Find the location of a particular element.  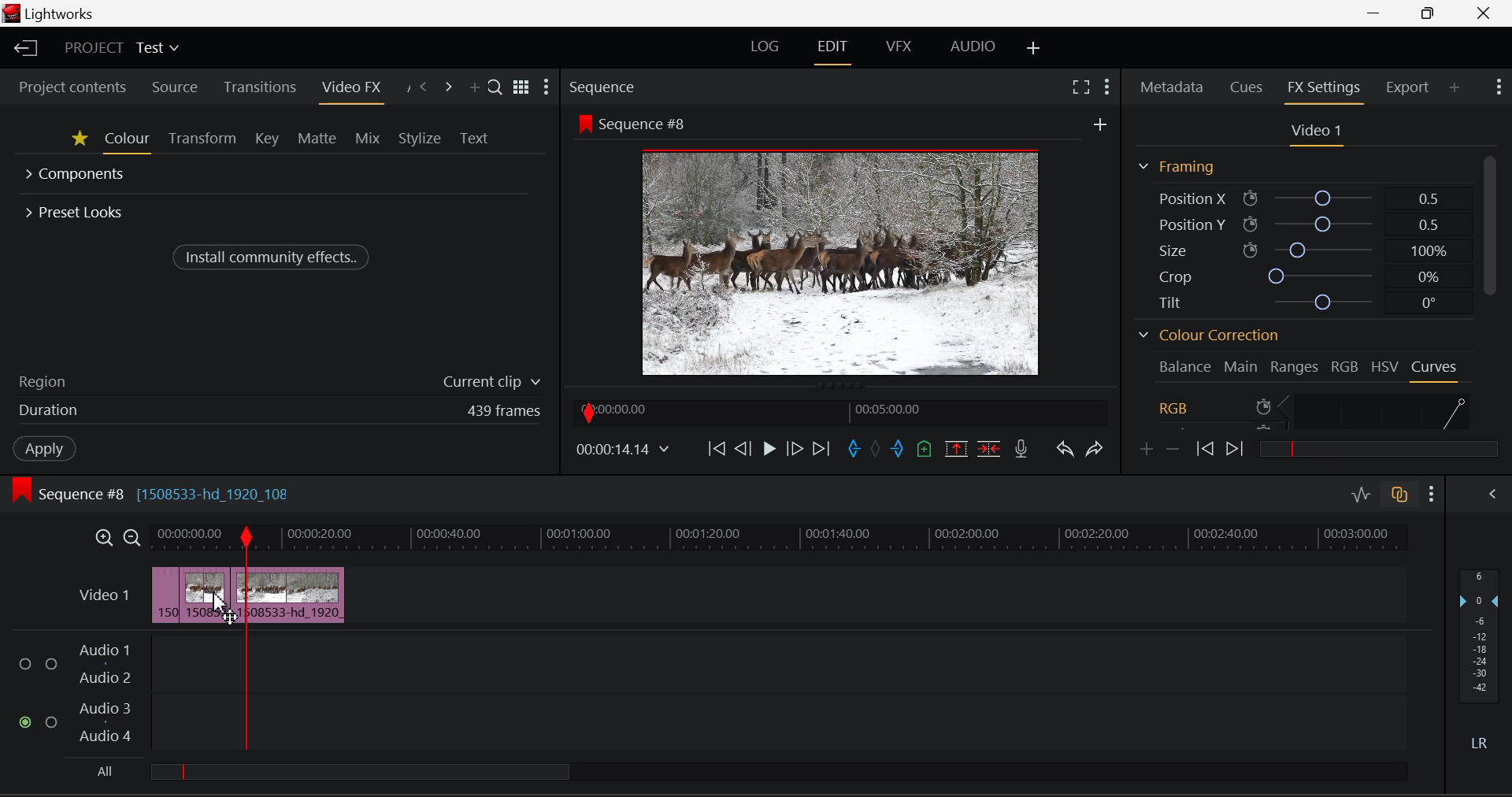

Framing Section is located at coordinates (1176, 166).